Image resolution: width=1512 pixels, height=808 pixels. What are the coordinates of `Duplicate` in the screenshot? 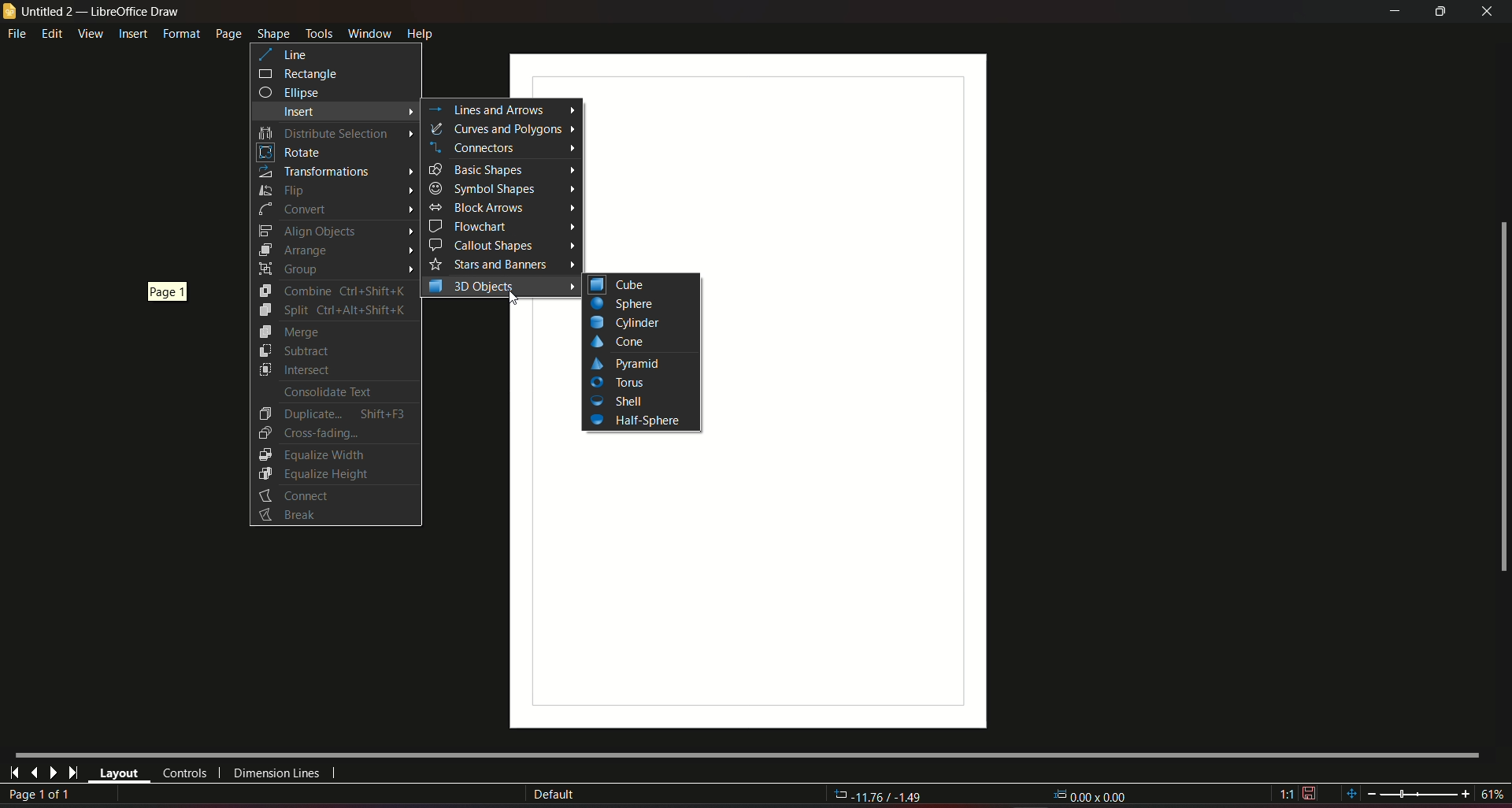 It's located at (332, 413).